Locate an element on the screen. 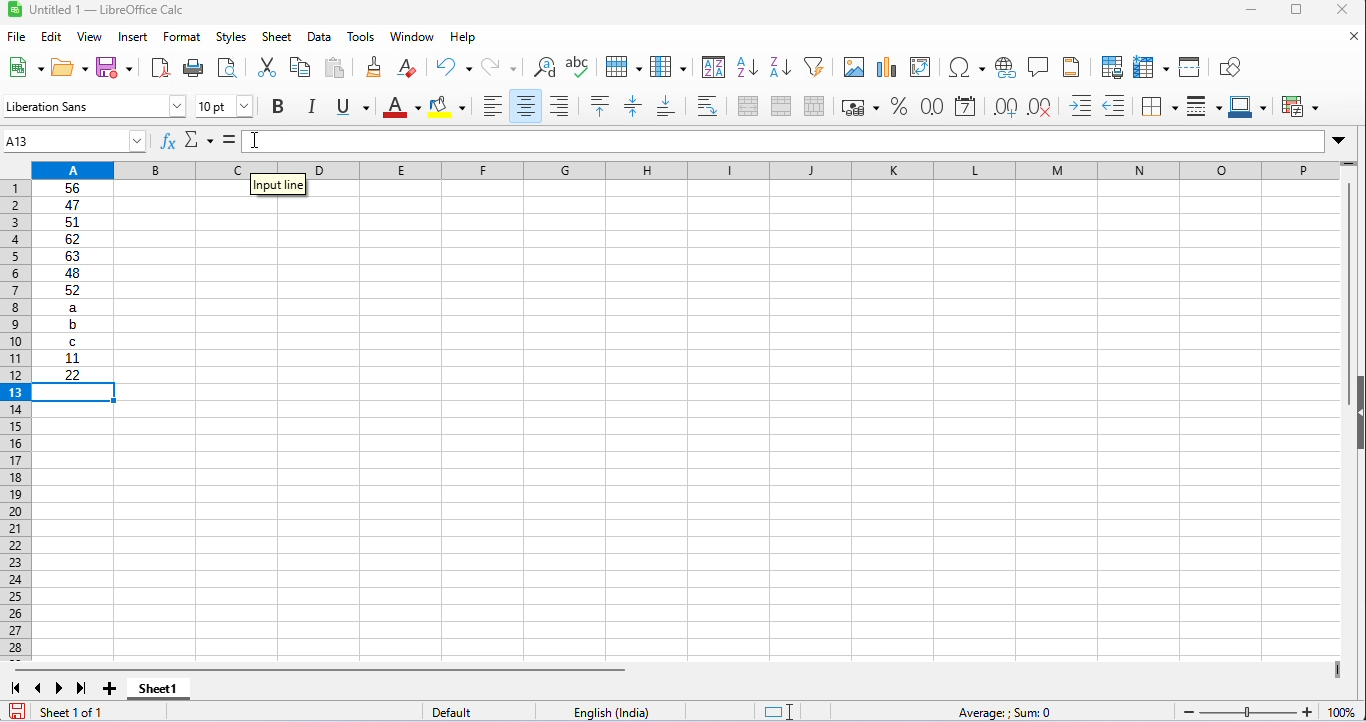 This screenshot has height=722, width=1366.  is located at coordinates (278, 107).